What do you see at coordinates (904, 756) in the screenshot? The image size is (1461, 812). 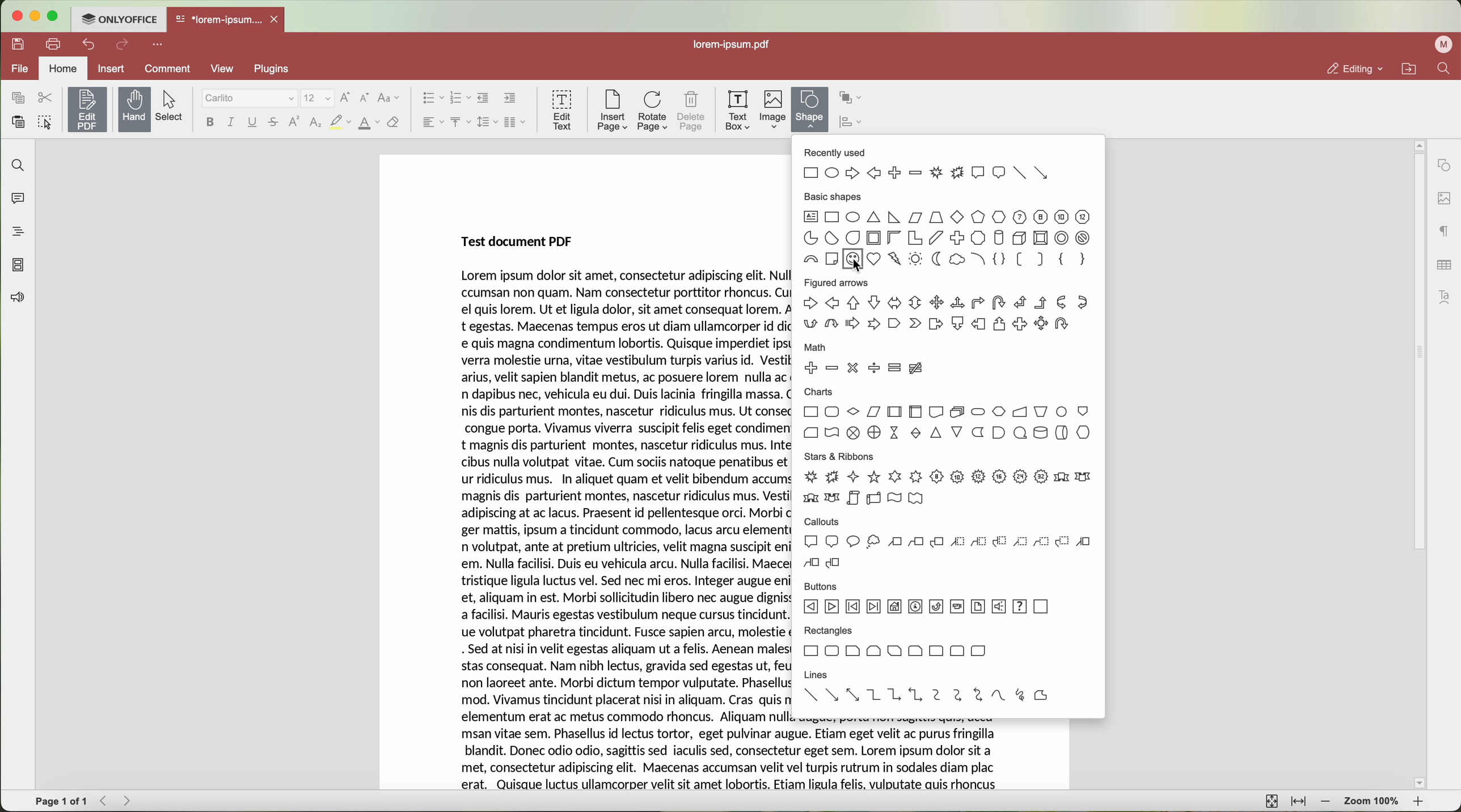 I see `body text` at bounding box center [904, 756].